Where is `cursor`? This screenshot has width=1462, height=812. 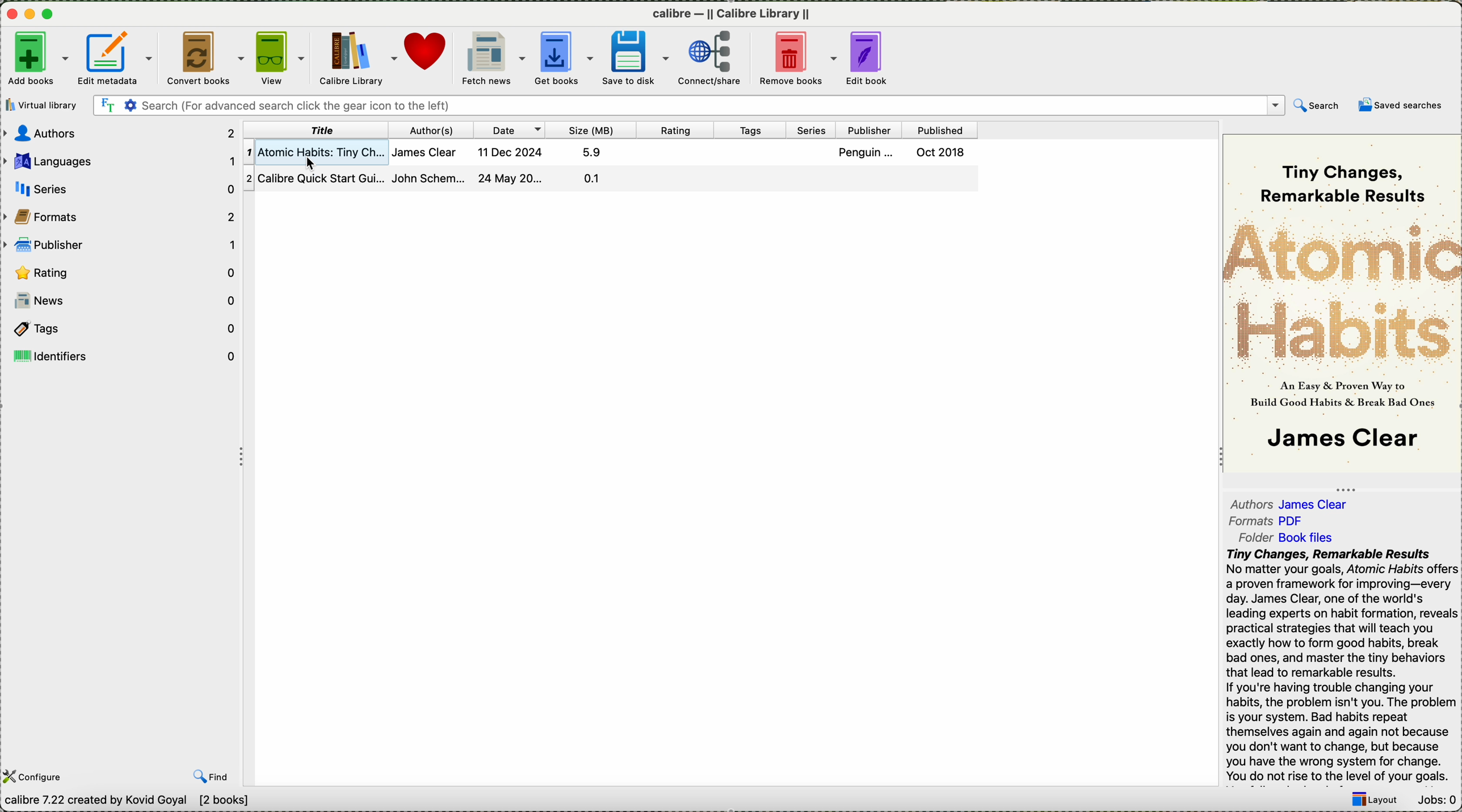
cursor is located at coordinates (314, 165).